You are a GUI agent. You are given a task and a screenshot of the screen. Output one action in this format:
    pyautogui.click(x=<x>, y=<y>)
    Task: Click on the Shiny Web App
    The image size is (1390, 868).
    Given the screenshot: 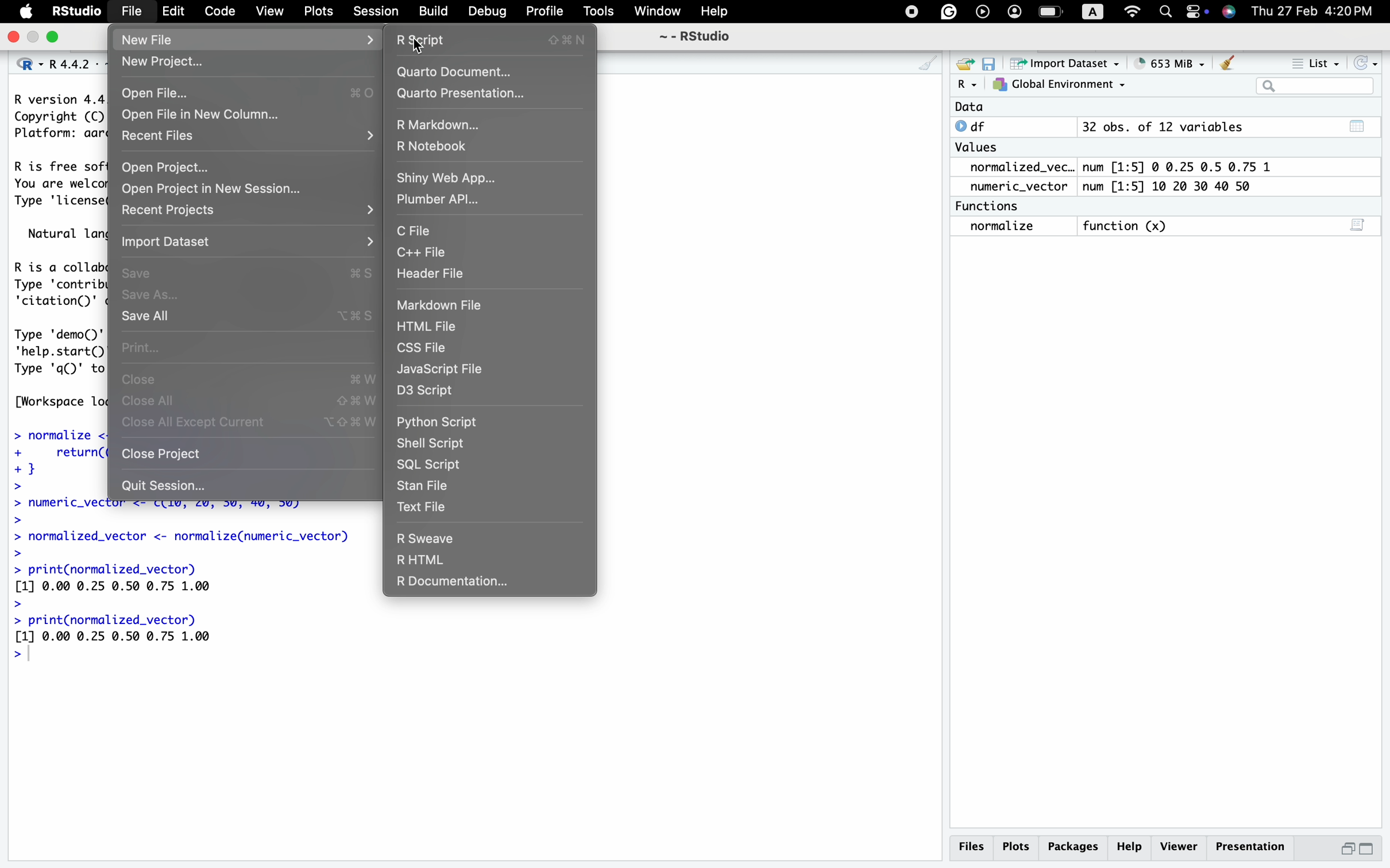 What is the action you would take?
    pyautogui.click(x=451, y=177)
    